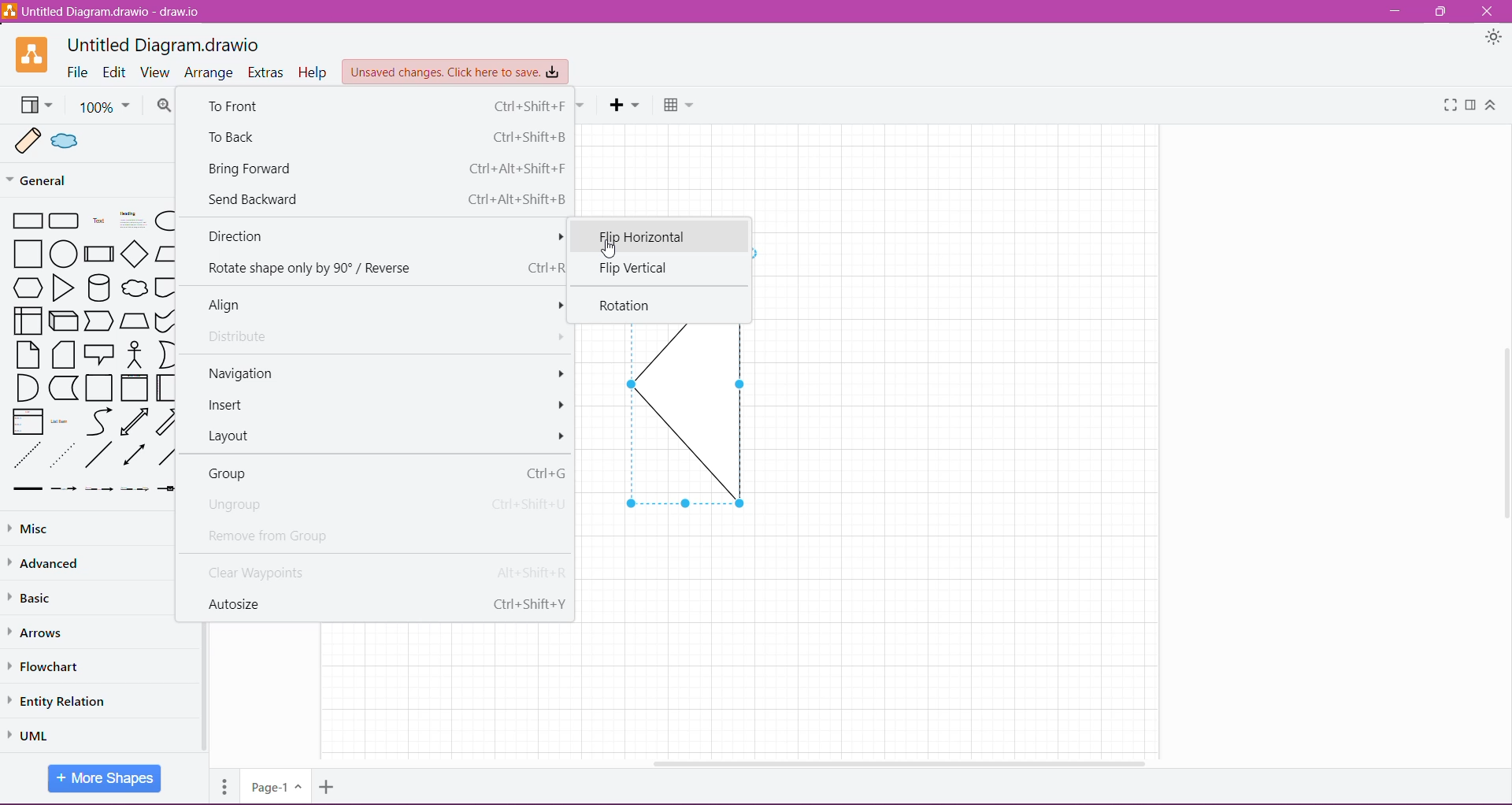  Describe the element at coordinates (381, 536) in the screenshot. I see `Remove from Group` at that location.